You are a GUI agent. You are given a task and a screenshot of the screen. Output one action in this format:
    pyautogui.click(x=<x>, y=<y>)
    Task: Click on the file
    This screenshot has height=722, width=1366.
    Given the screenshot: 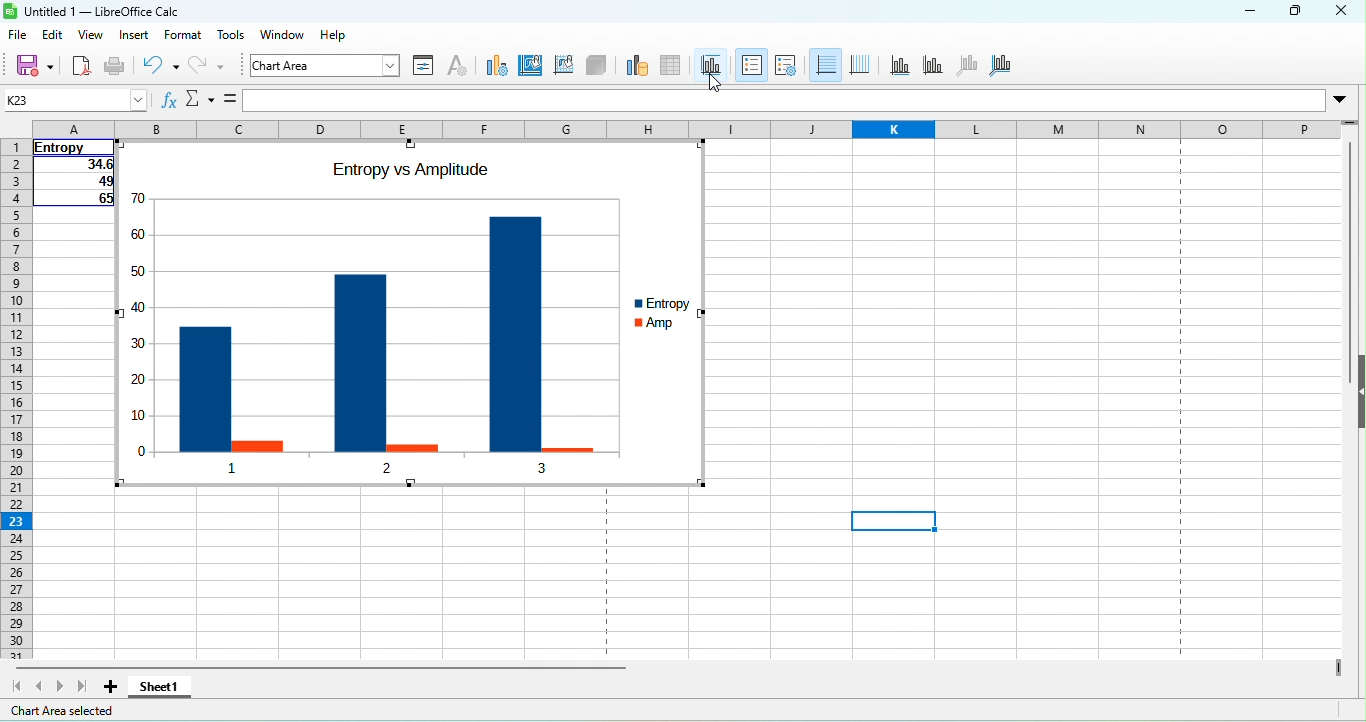 What is the action you would take?
    pyautogui.click(x=19, y=38)
    